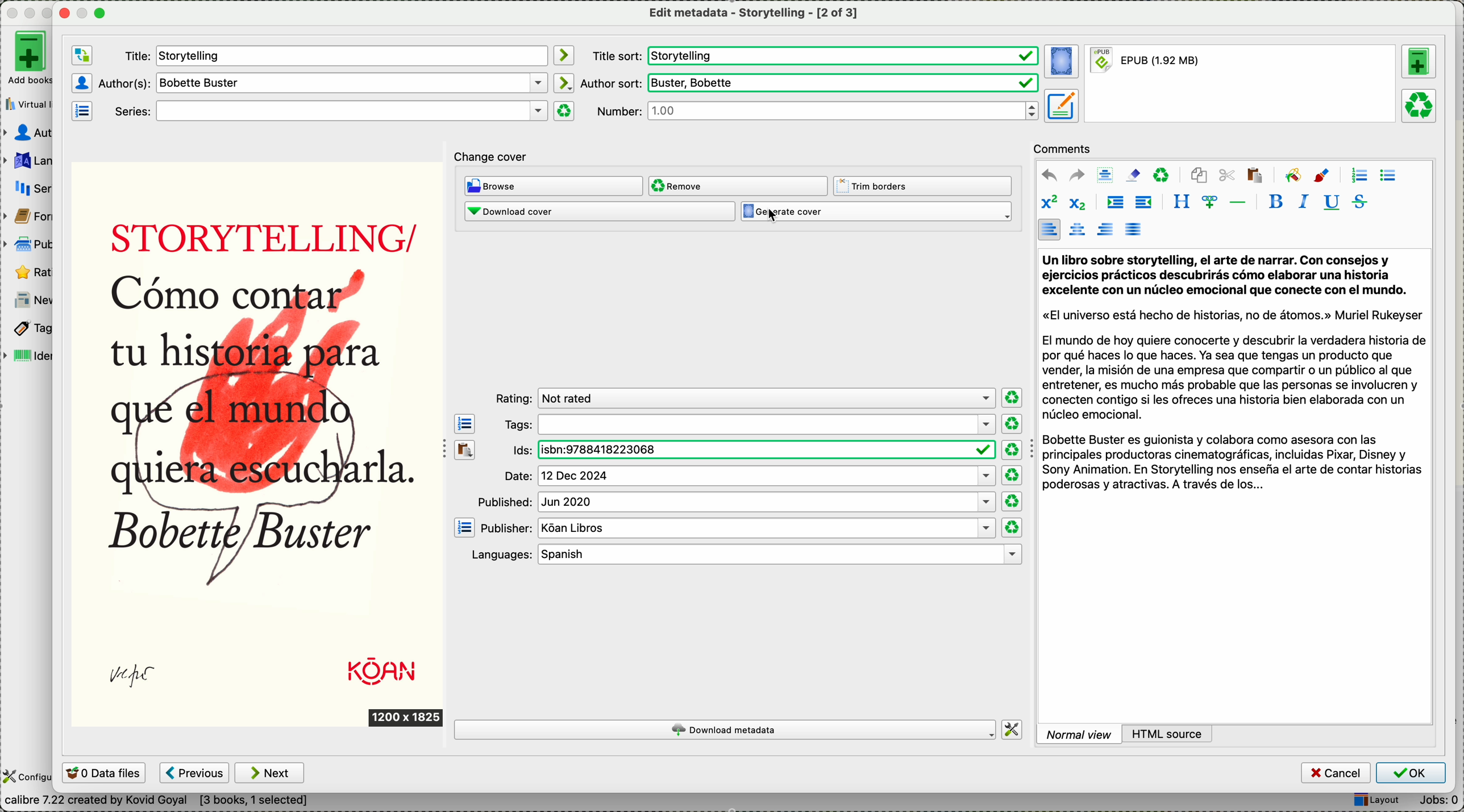 This screenshot has height=812, width=1464. What do you see at coordinates (745, 398) in the screenshot?
I see `rating` at bounding box center [745, 398].